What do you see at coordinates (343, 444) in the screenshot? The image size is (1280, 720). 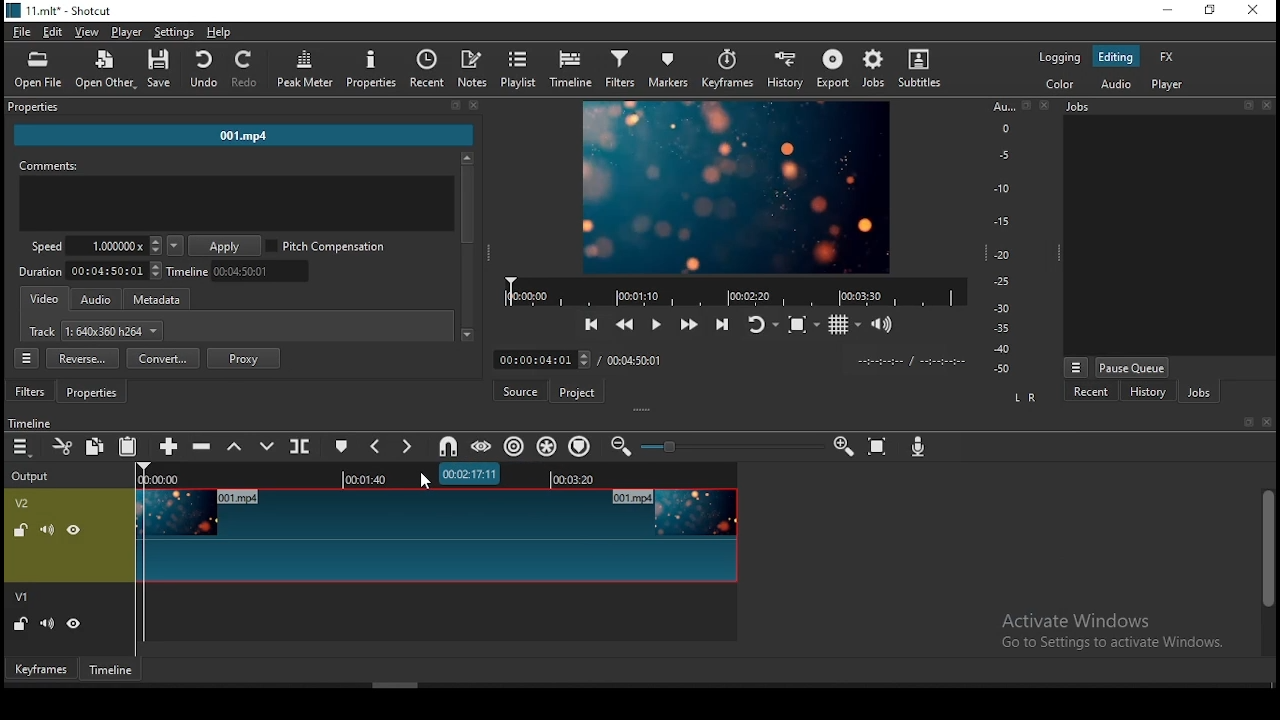 I see `create/edit marker` at bounding box center [343, 444].